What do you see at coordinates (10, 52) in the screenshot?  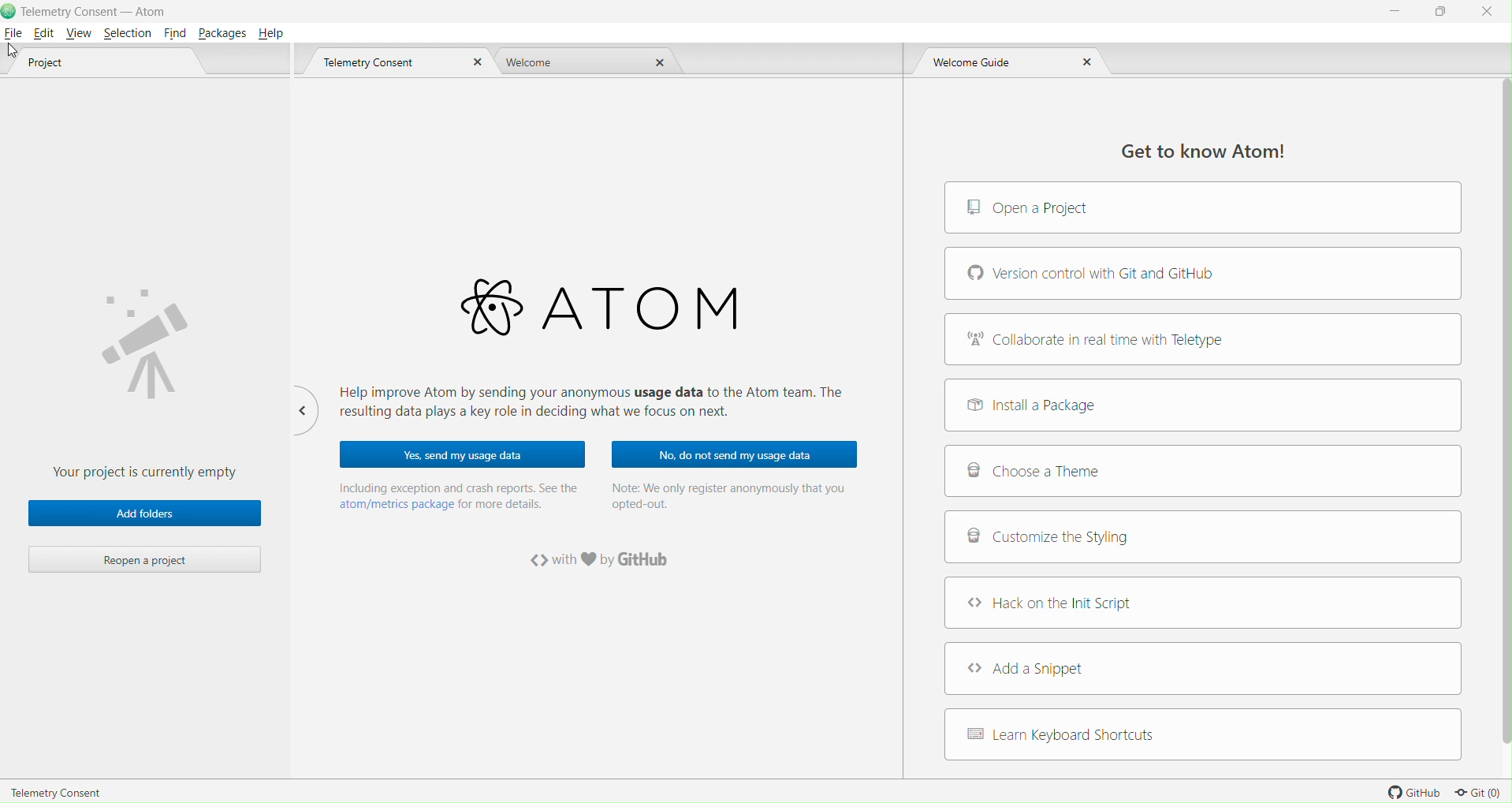 I see `Cursor` at bounding box center [10, 52].